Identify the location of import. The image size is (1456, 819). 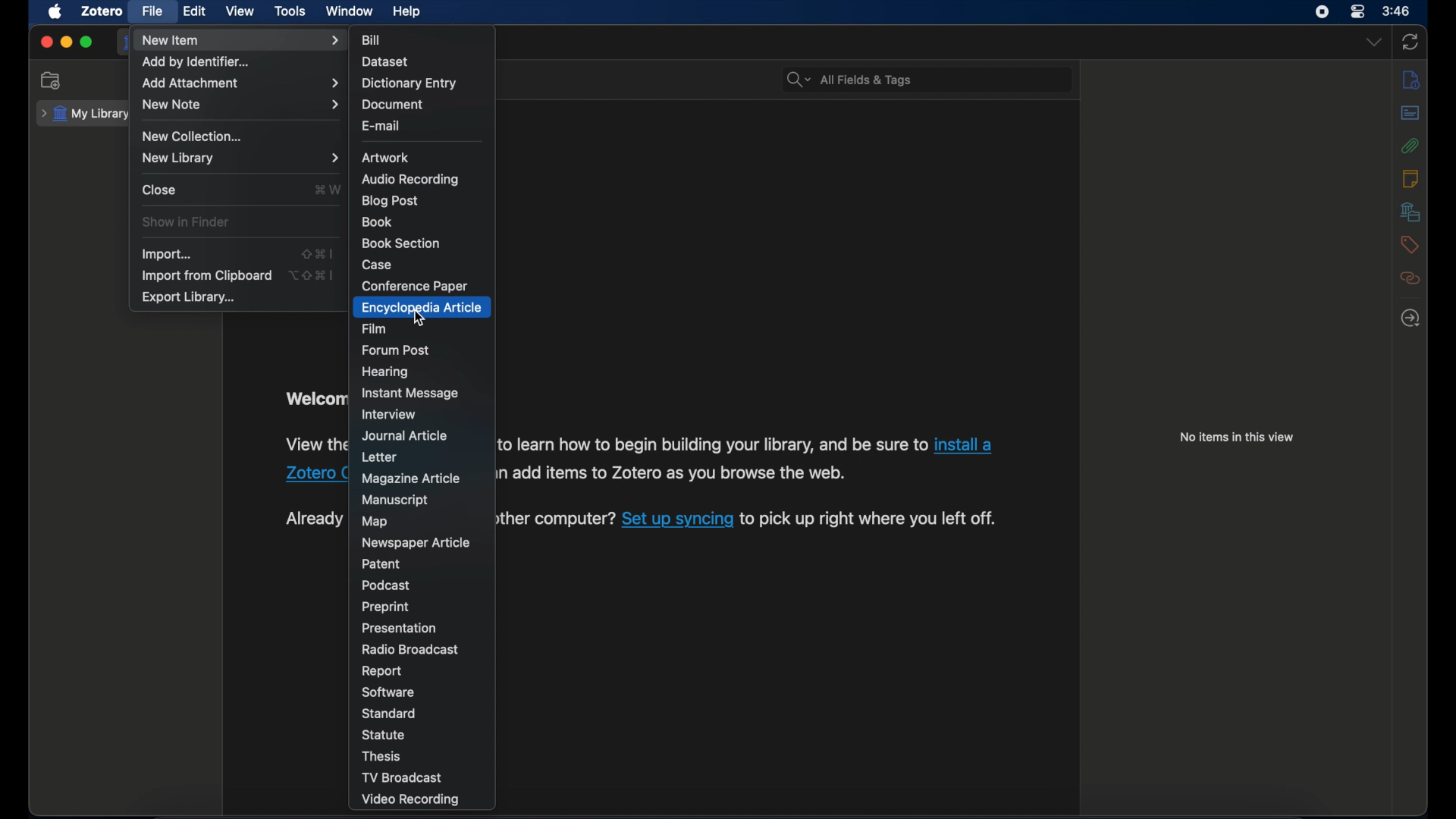
(168, 254).